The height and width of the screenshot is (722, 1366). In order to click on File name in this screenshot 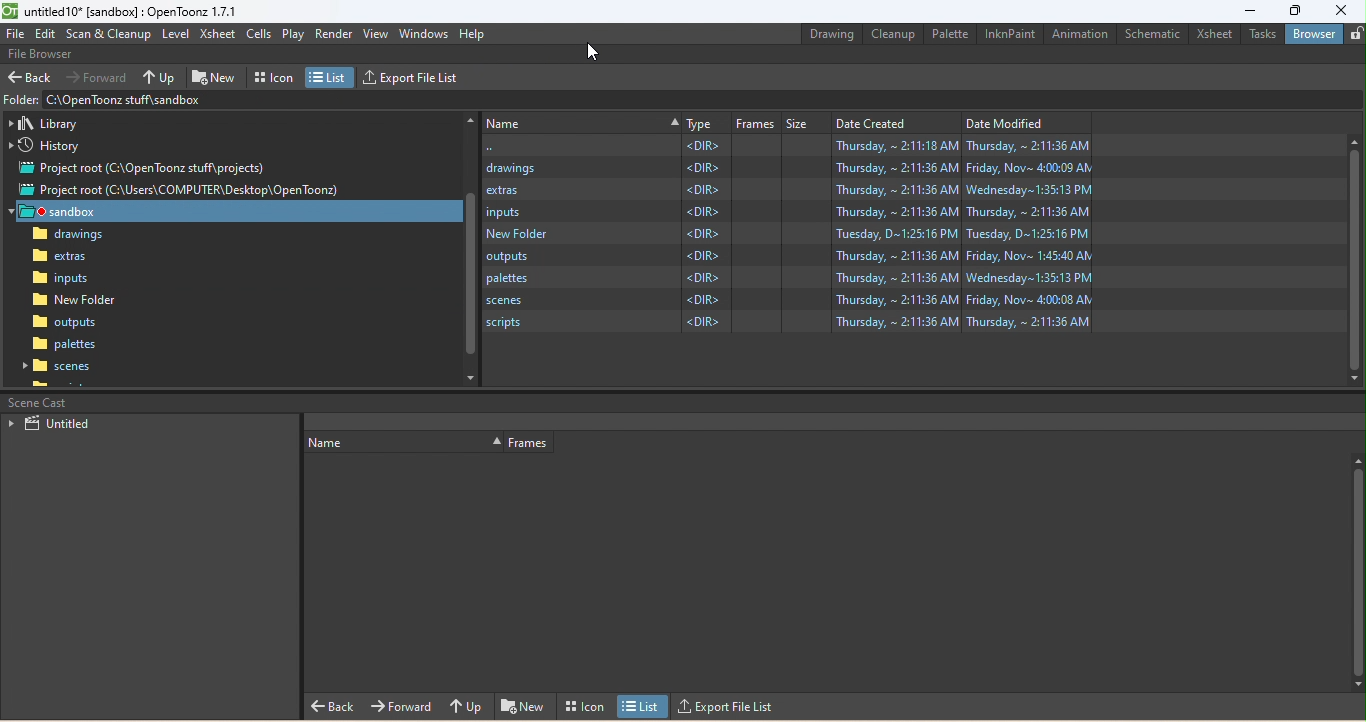, I will do `click(135, 11)`.